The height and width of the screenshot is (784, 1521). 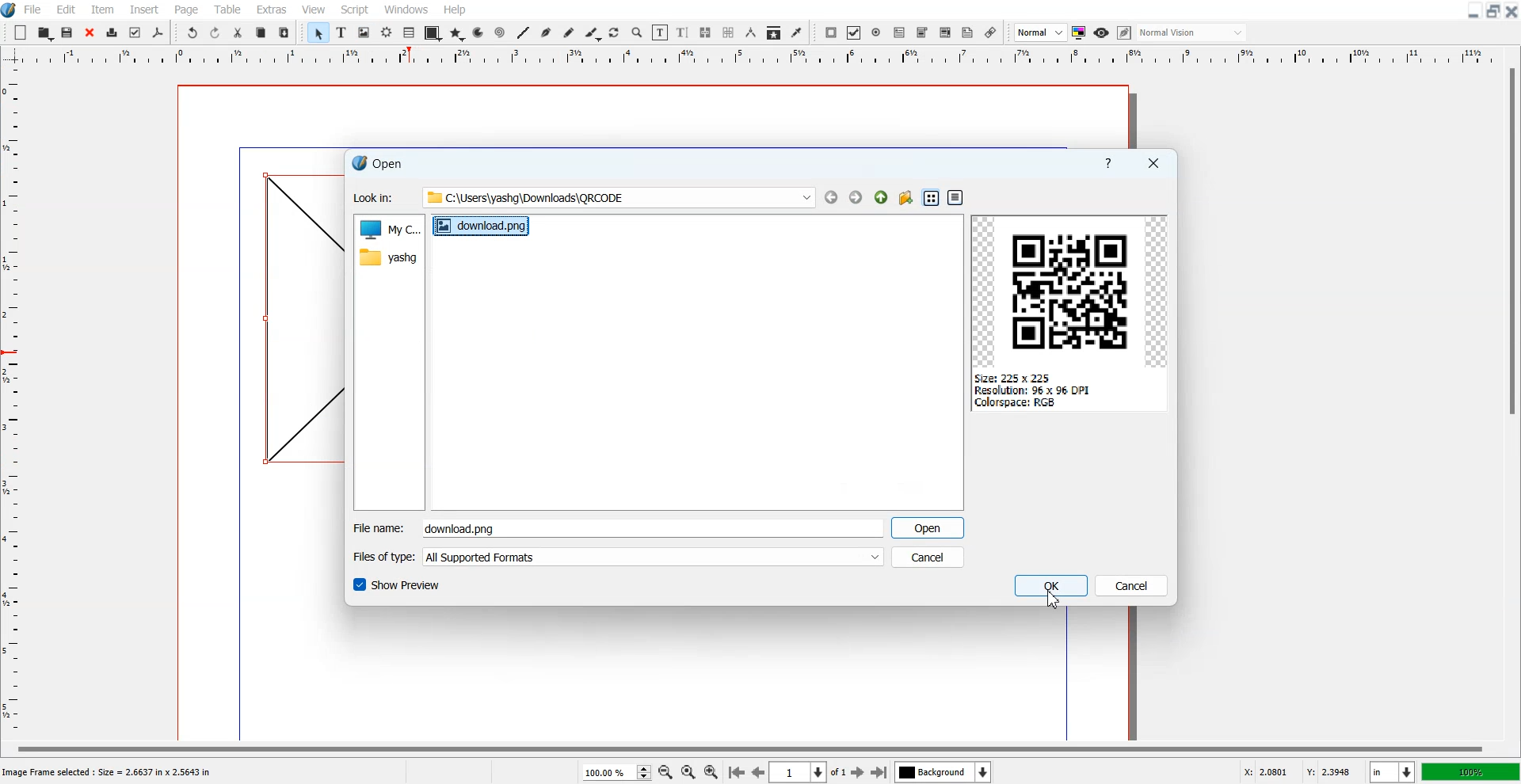 I want to click on Open, so click(x=69, y=32).